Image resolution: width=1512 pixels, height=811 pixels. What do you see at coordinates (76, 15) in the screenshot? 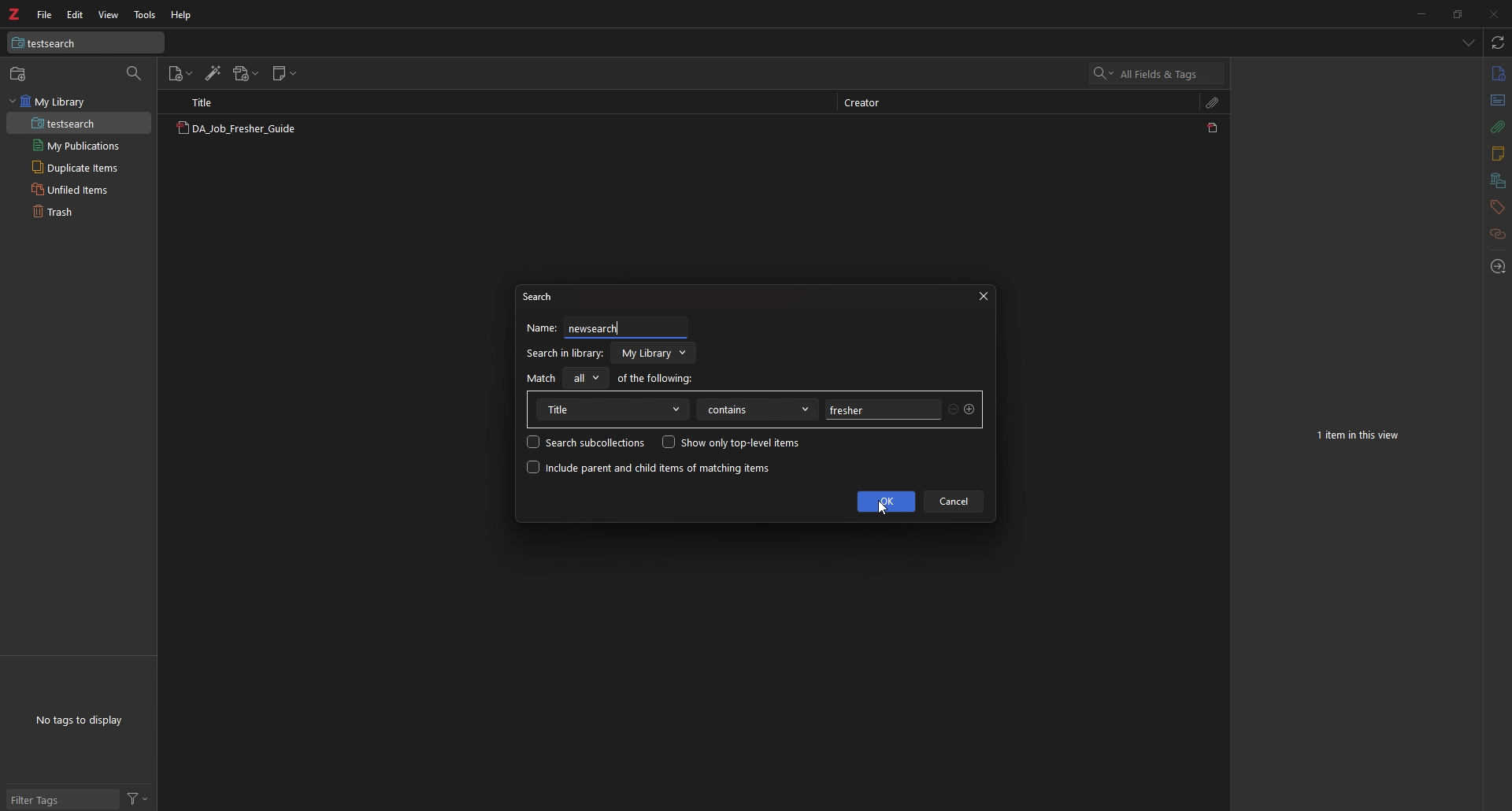
I see `edit` at bounding box center [76, 15].